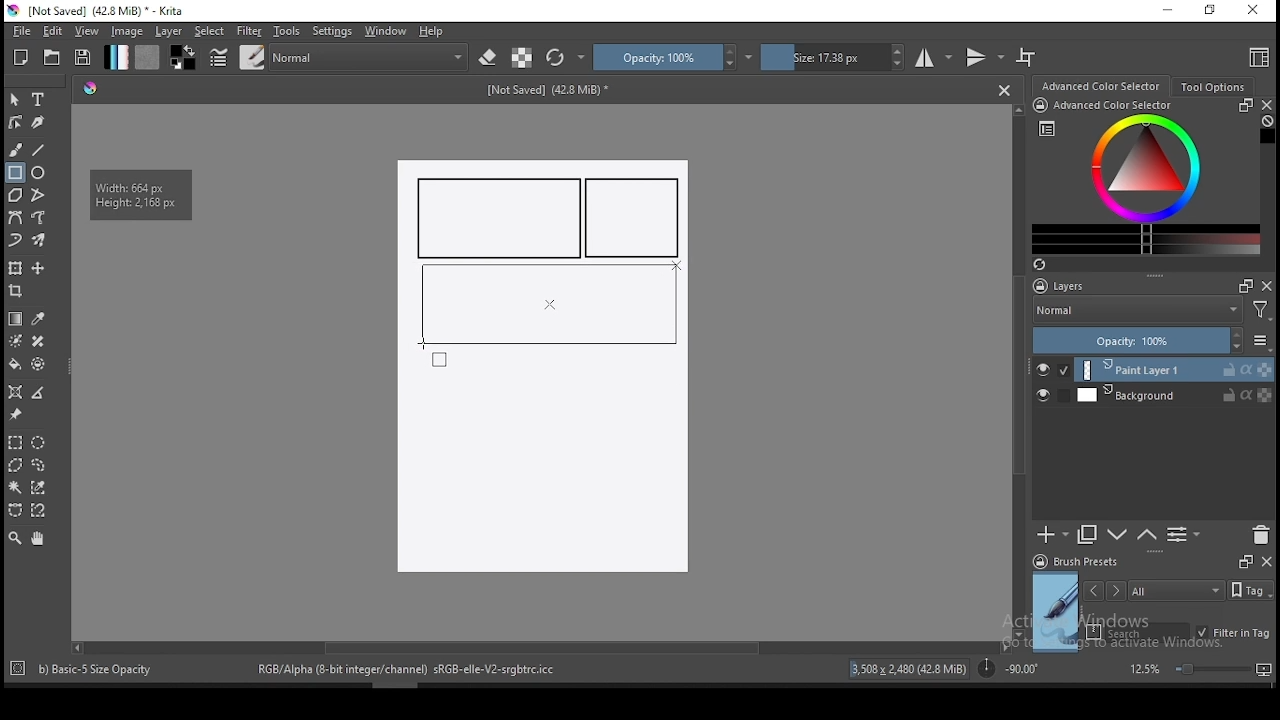 This screenshot has width=1280, height=720. What do you see at coordinates (15, 392) in the screenshot?
I see `assistant tool` at bounding box center [15, 392].